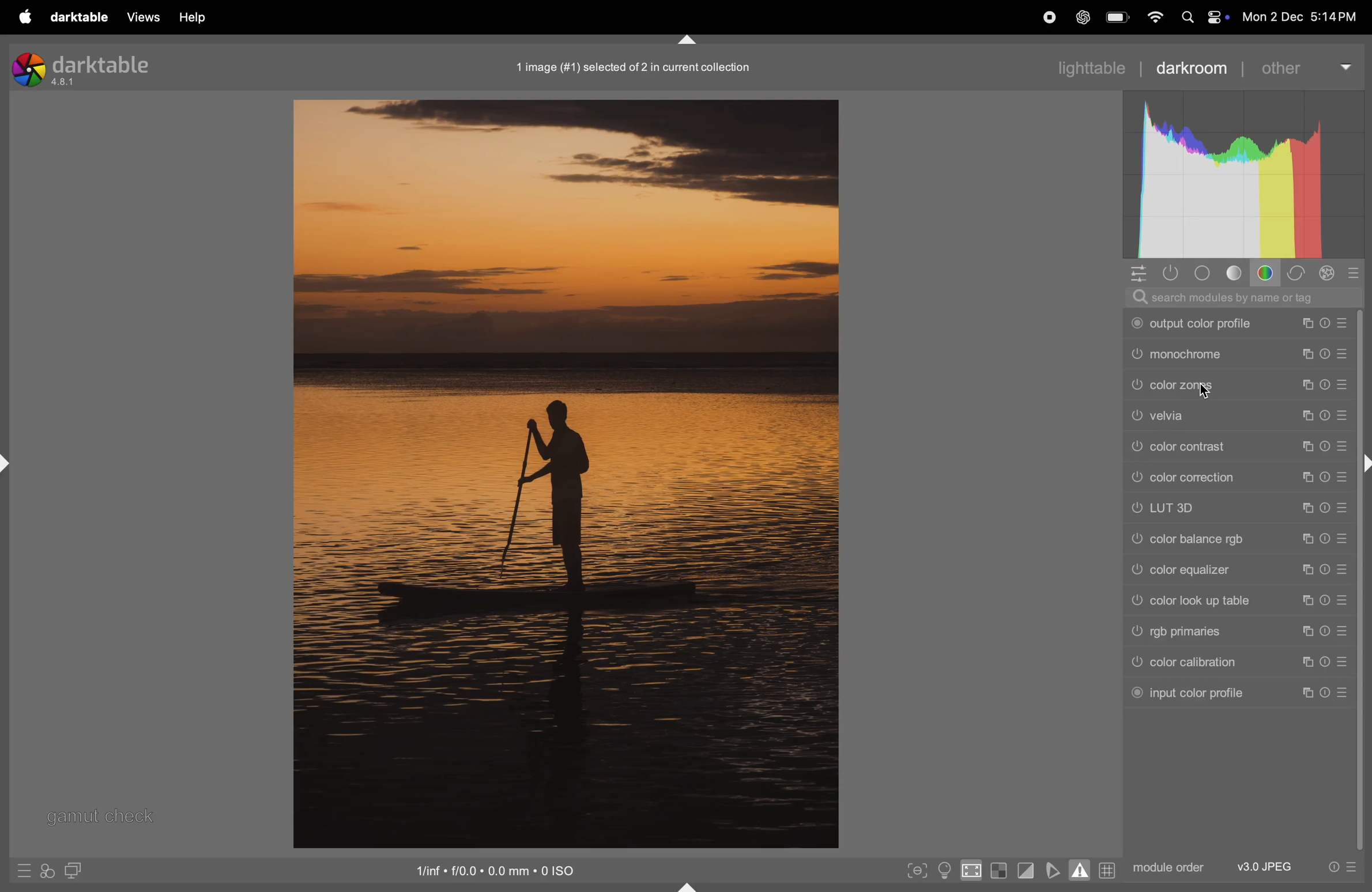 This screenshot has height=892, width=1372. I want to click on presets, so click(1360, 271).